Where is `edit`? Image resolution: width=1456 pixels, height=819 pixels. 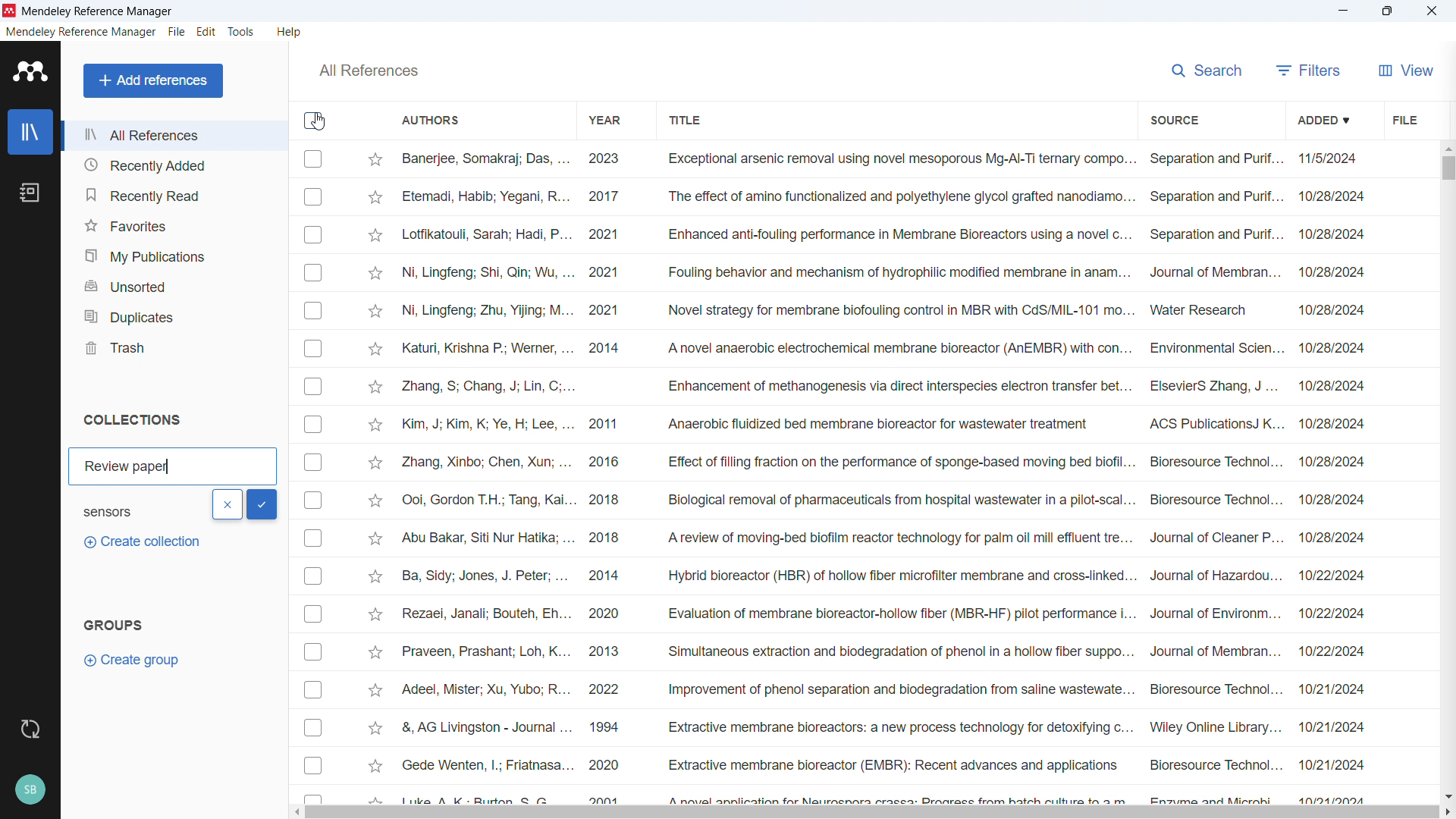
edit is located at coordinates (206, 33).